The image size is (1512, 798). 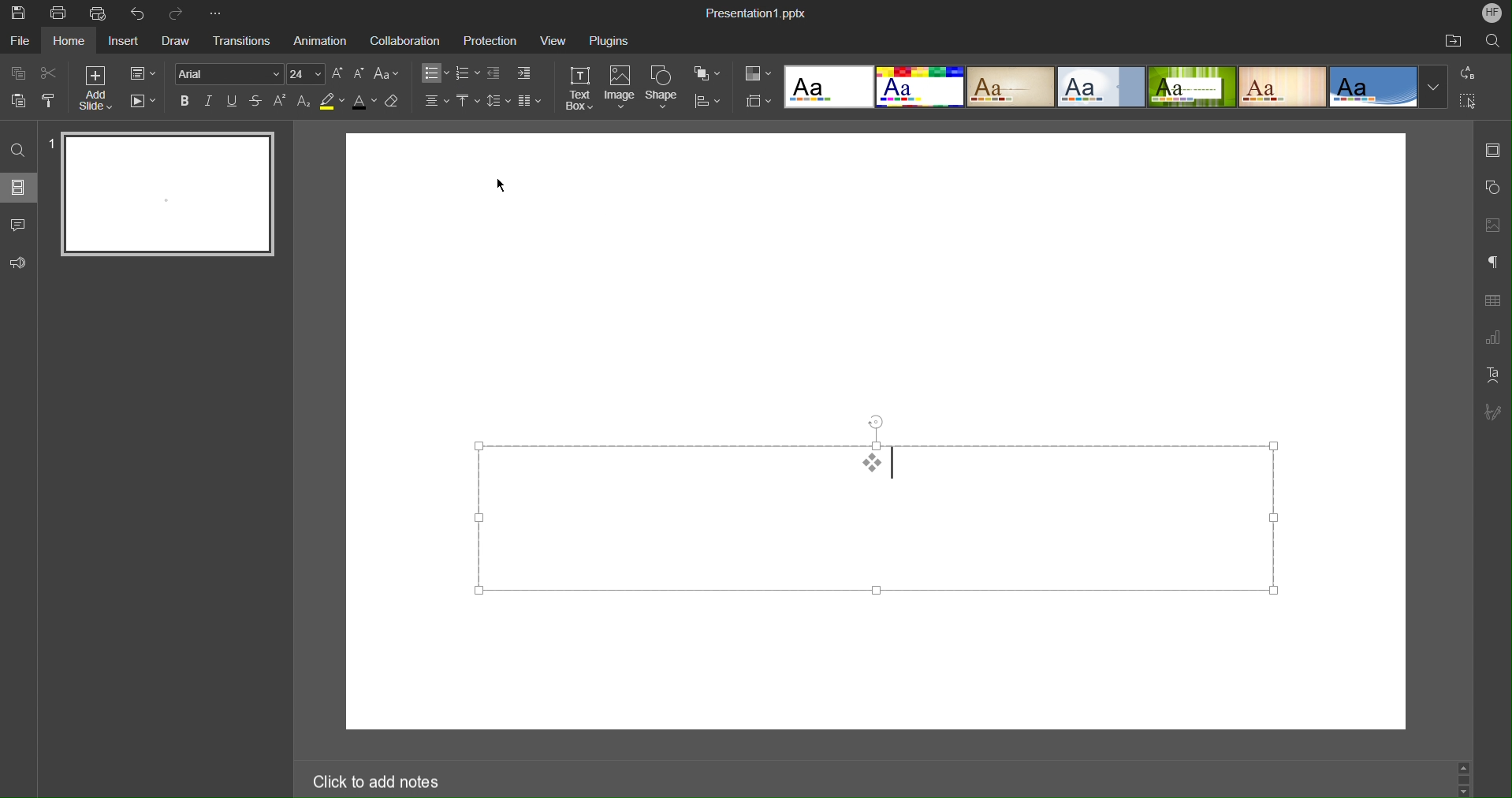 I want to click on Slides, so click(x=20, y=189).